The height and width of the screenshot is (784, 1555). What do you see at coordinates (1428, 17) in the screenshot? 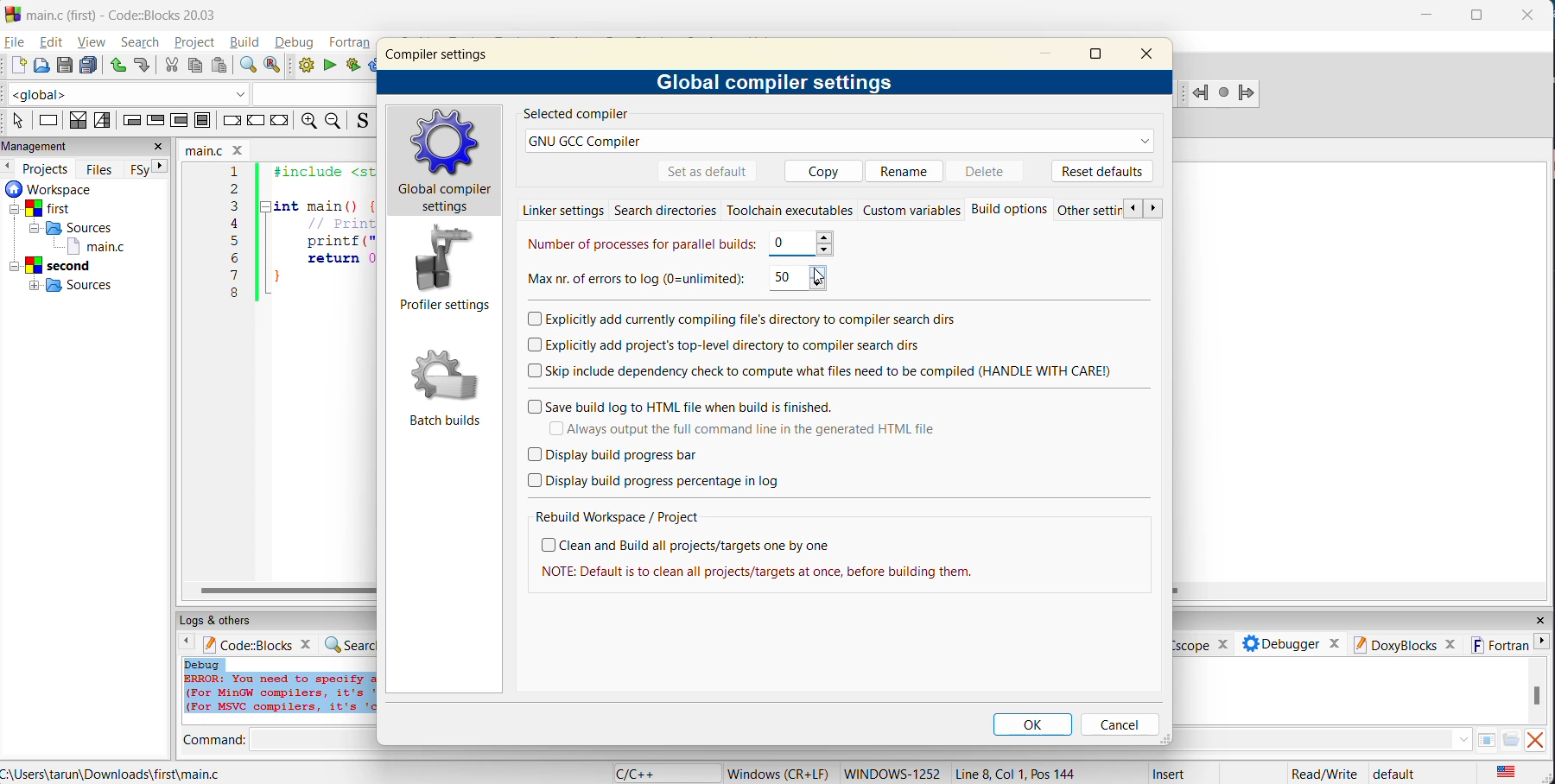
I see `minimize` at bounding box center [1428, 17].